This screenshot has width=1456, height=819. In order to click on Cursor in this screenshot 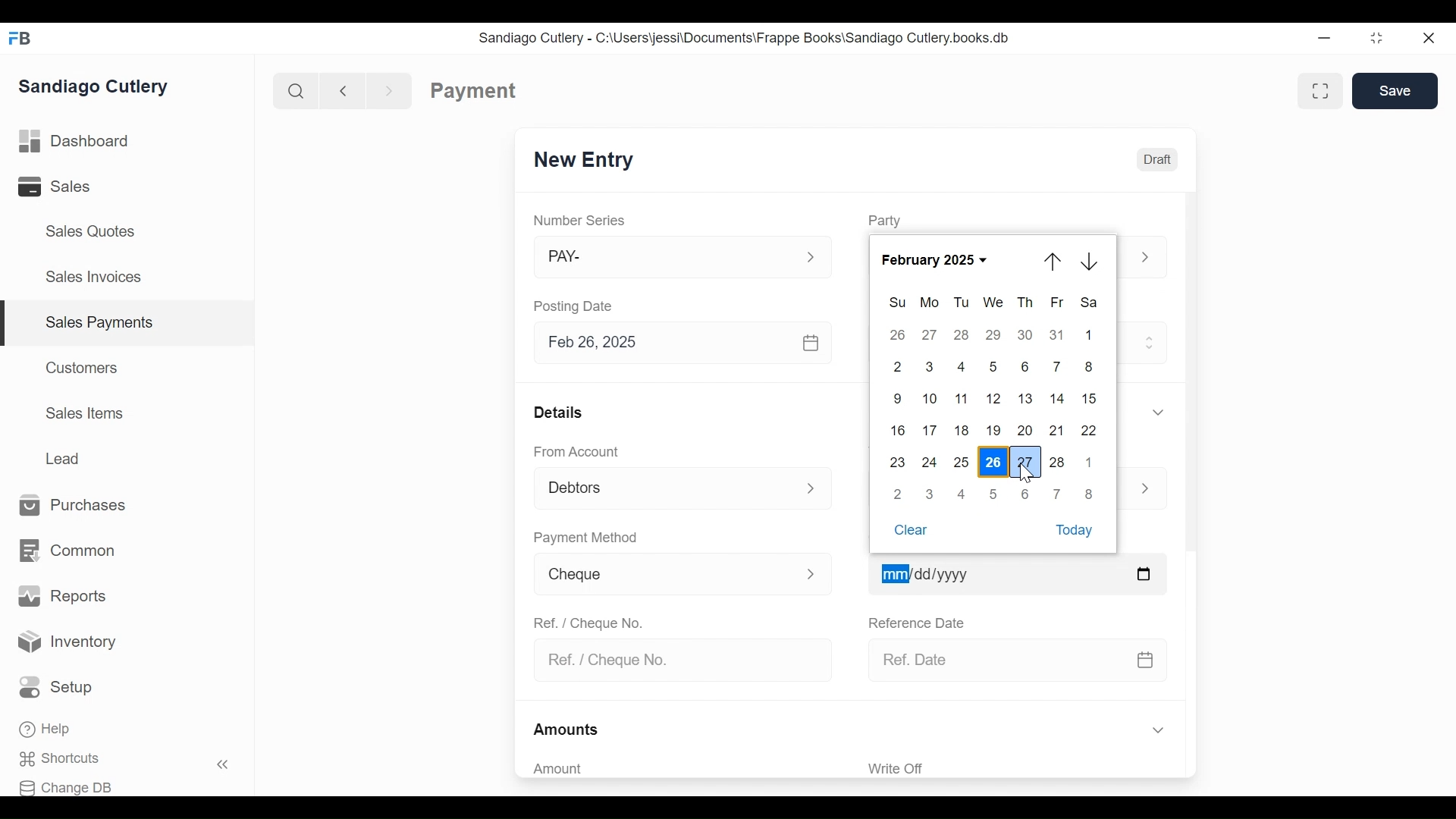, I will do `click(1025, 474)`.